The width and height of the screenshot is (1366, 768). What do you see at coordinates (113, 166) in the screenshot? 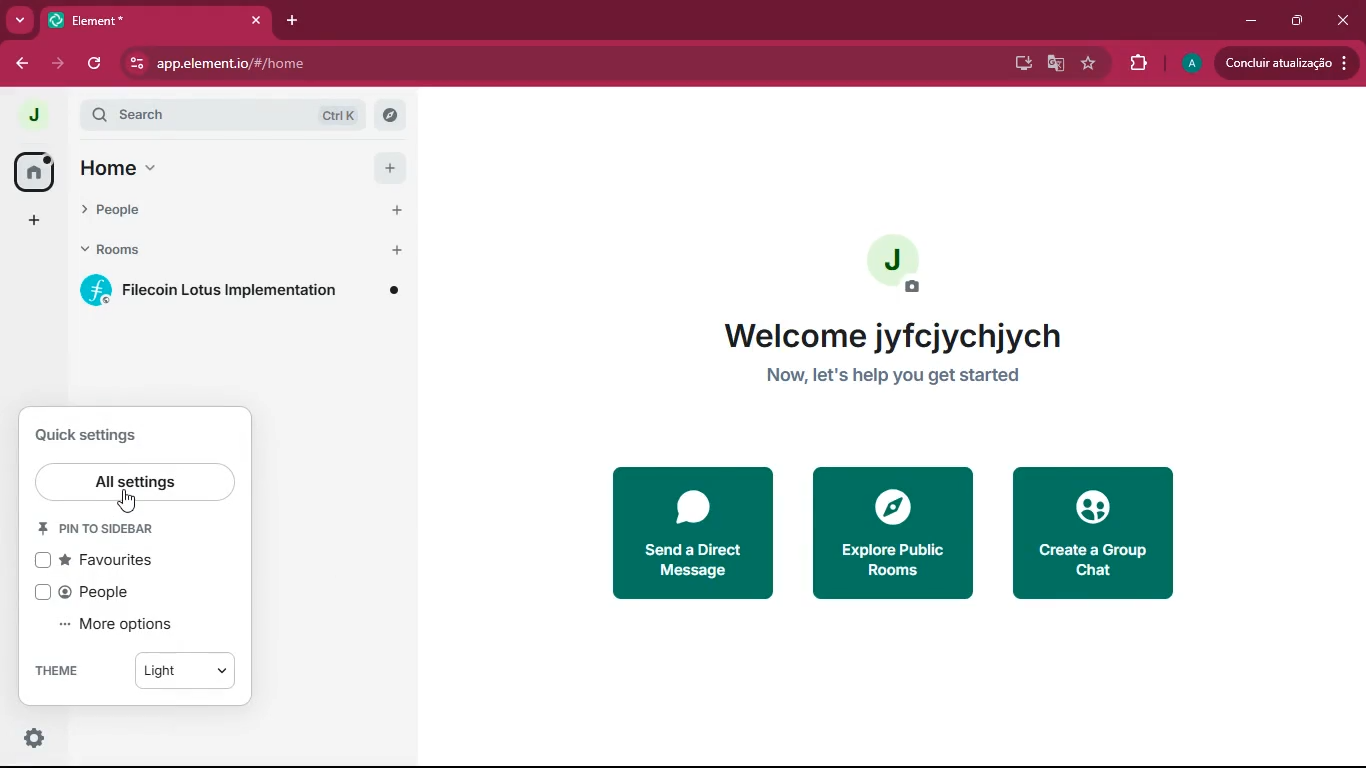
I see `home` at bounding box center [113, 166].